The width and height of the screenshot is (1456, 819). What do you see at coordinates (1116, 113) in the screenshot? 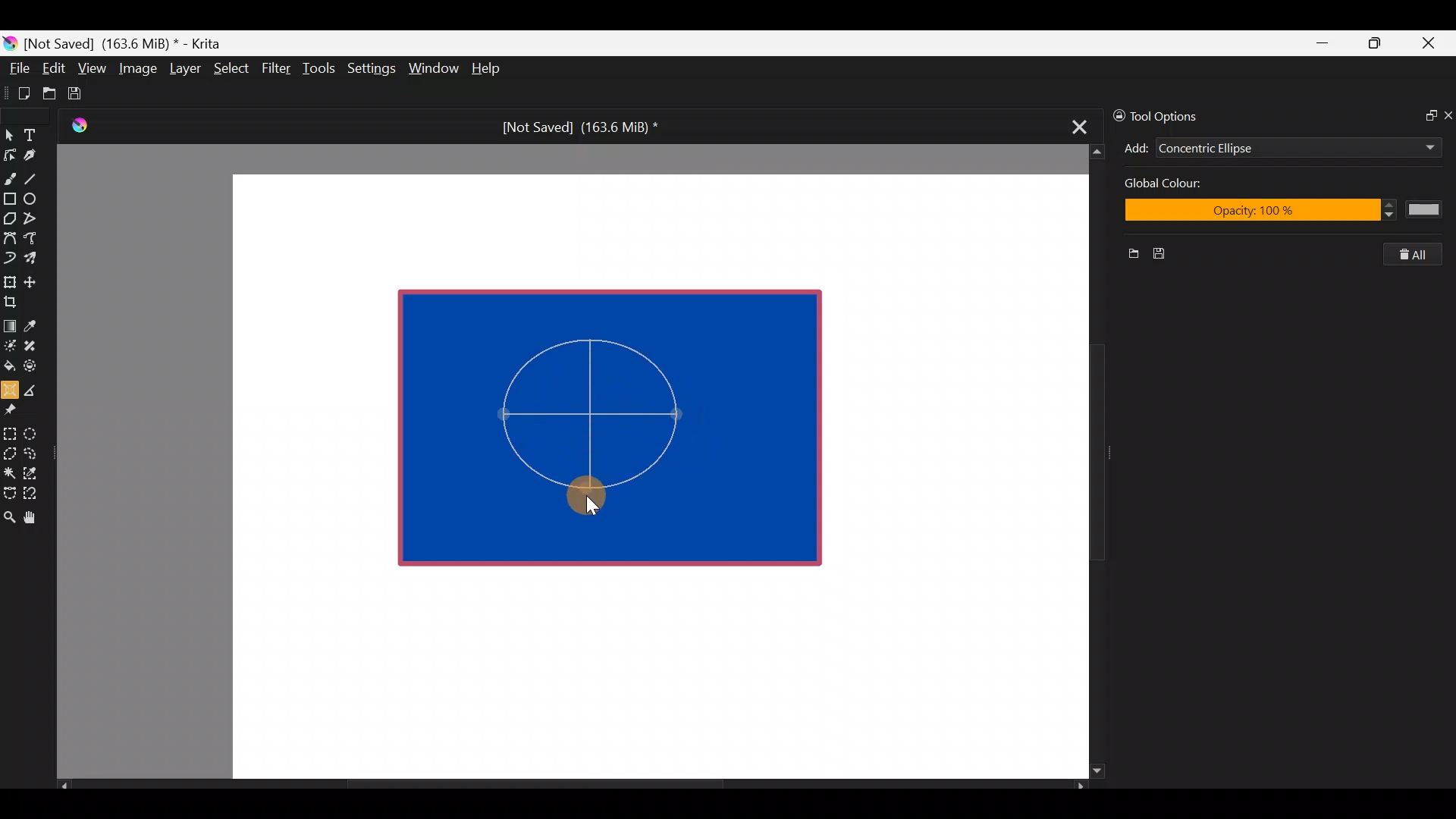
I see `Lock/unlock docker` at bounding box center [1116, 113].